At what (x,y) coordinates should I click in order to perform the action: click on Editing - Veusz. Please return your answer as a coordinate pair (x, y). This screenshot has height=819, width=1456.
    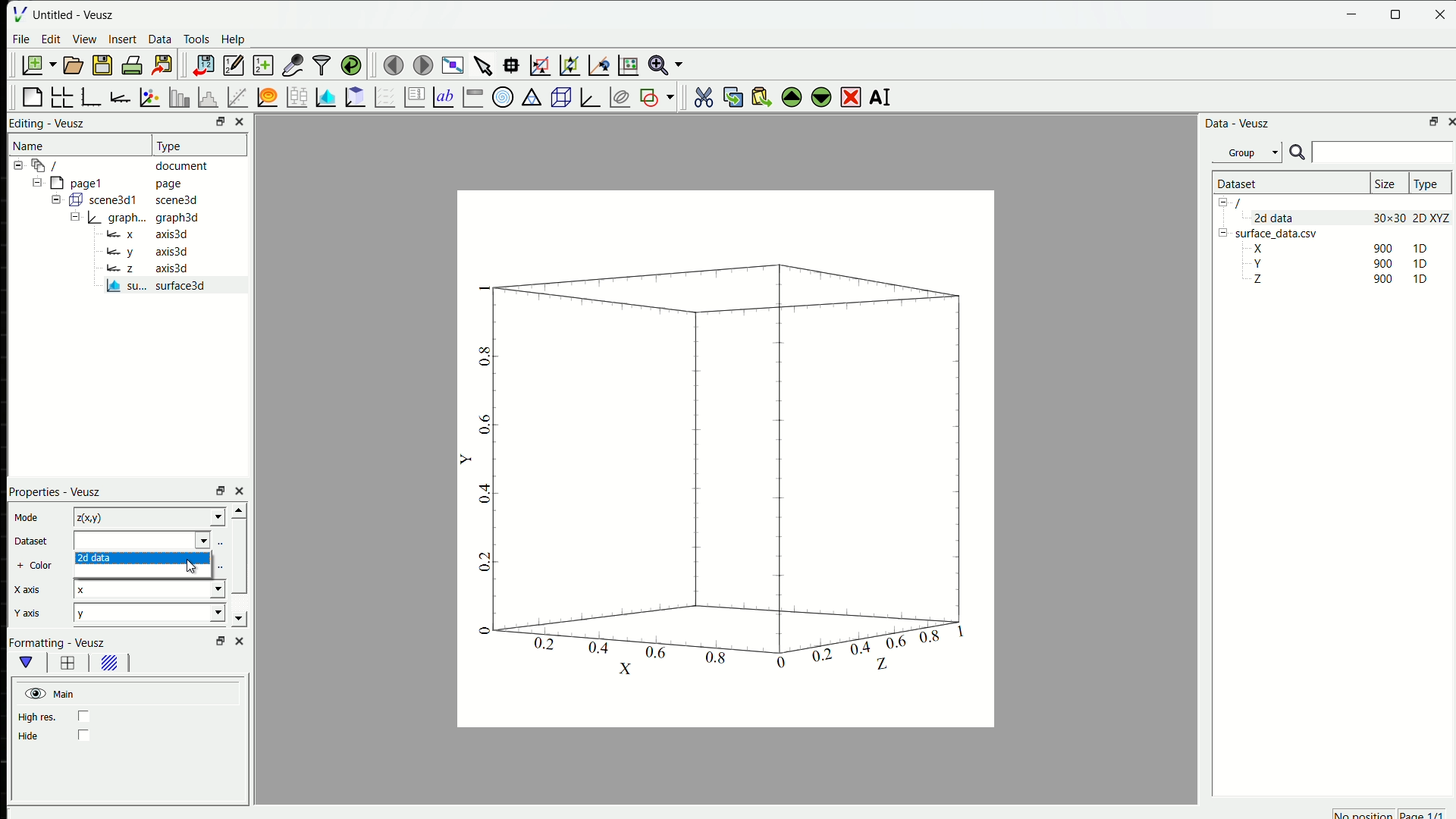
    Looking at the image, I should click on (49, 124).